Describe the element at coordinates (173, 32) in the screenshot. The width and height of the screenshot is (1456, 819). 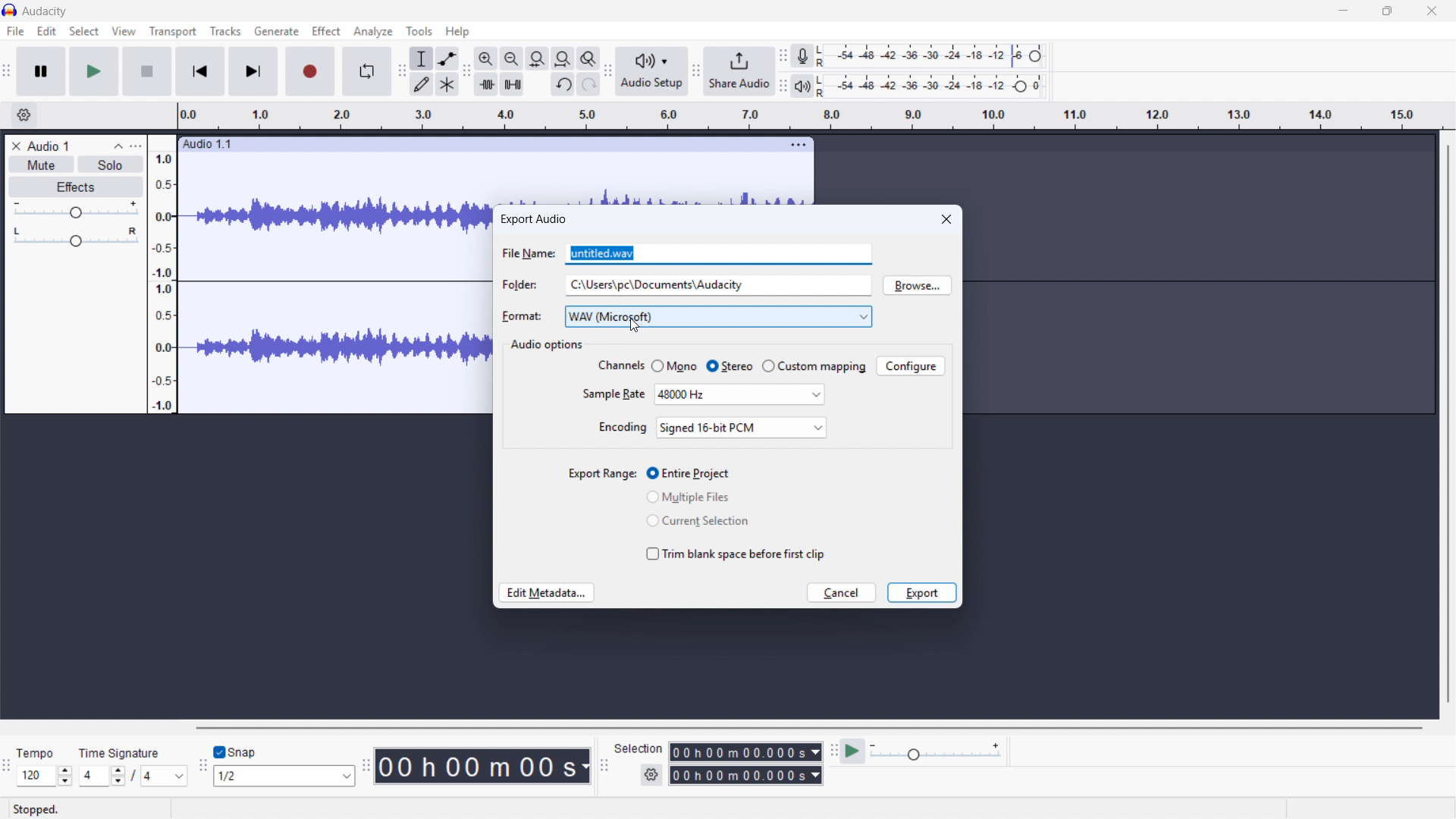
I see `Transport ` at that location.